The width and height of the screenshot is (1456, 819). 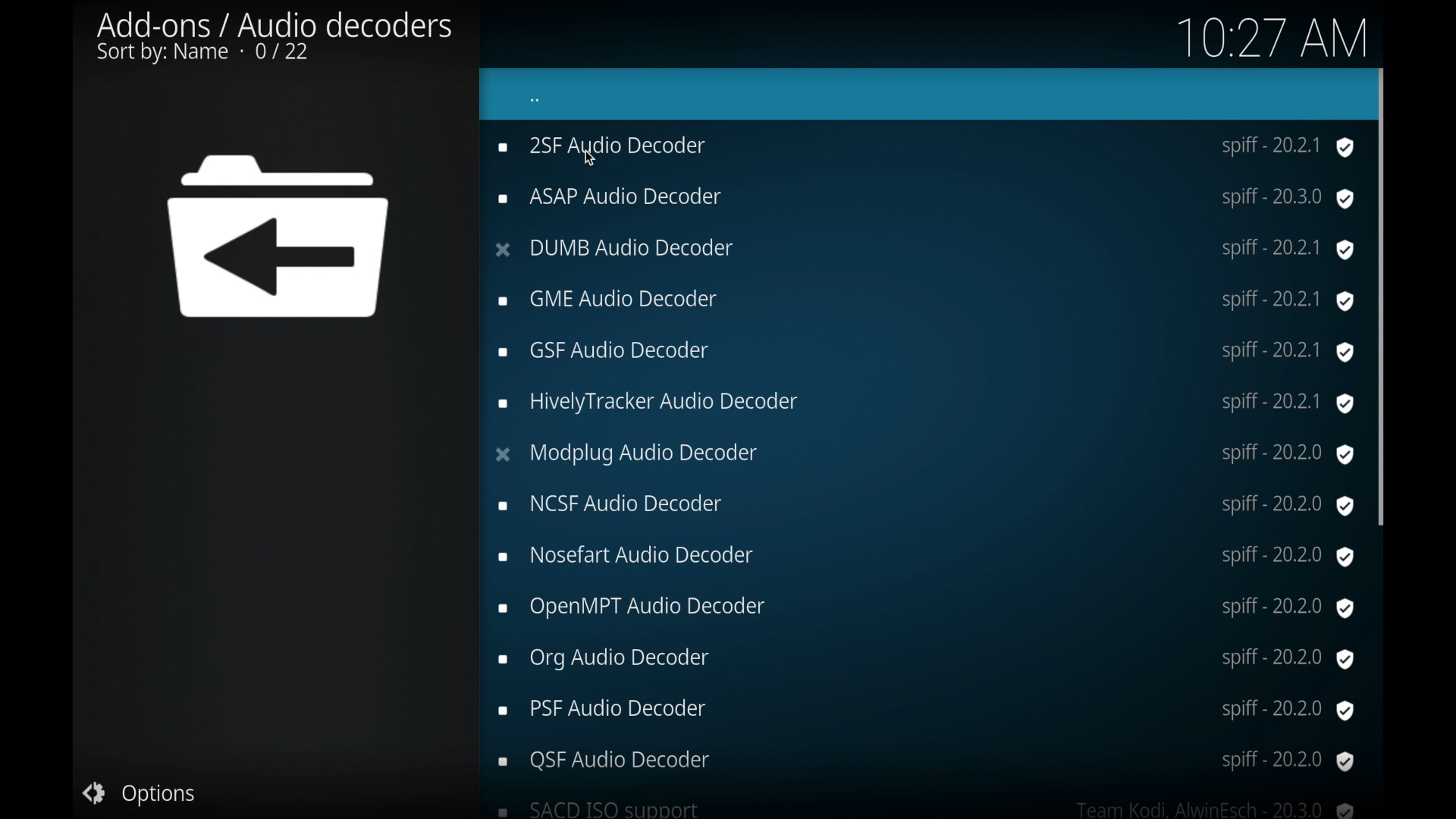 I want to click on psf audio decoder, so click(x=924, y=711).